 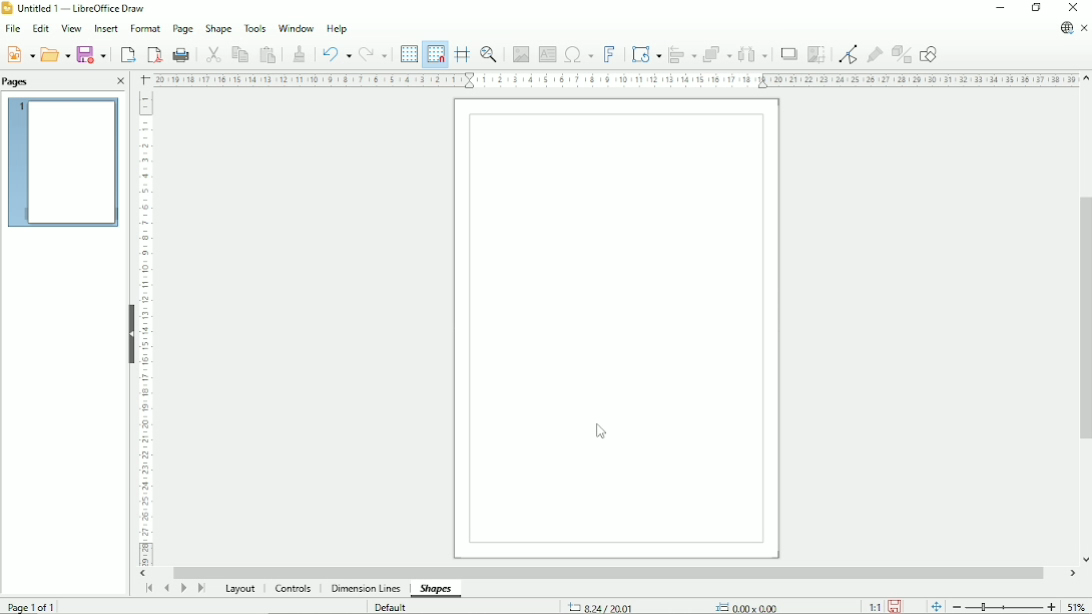 I want to click on Page, so click(x=182, y=29).